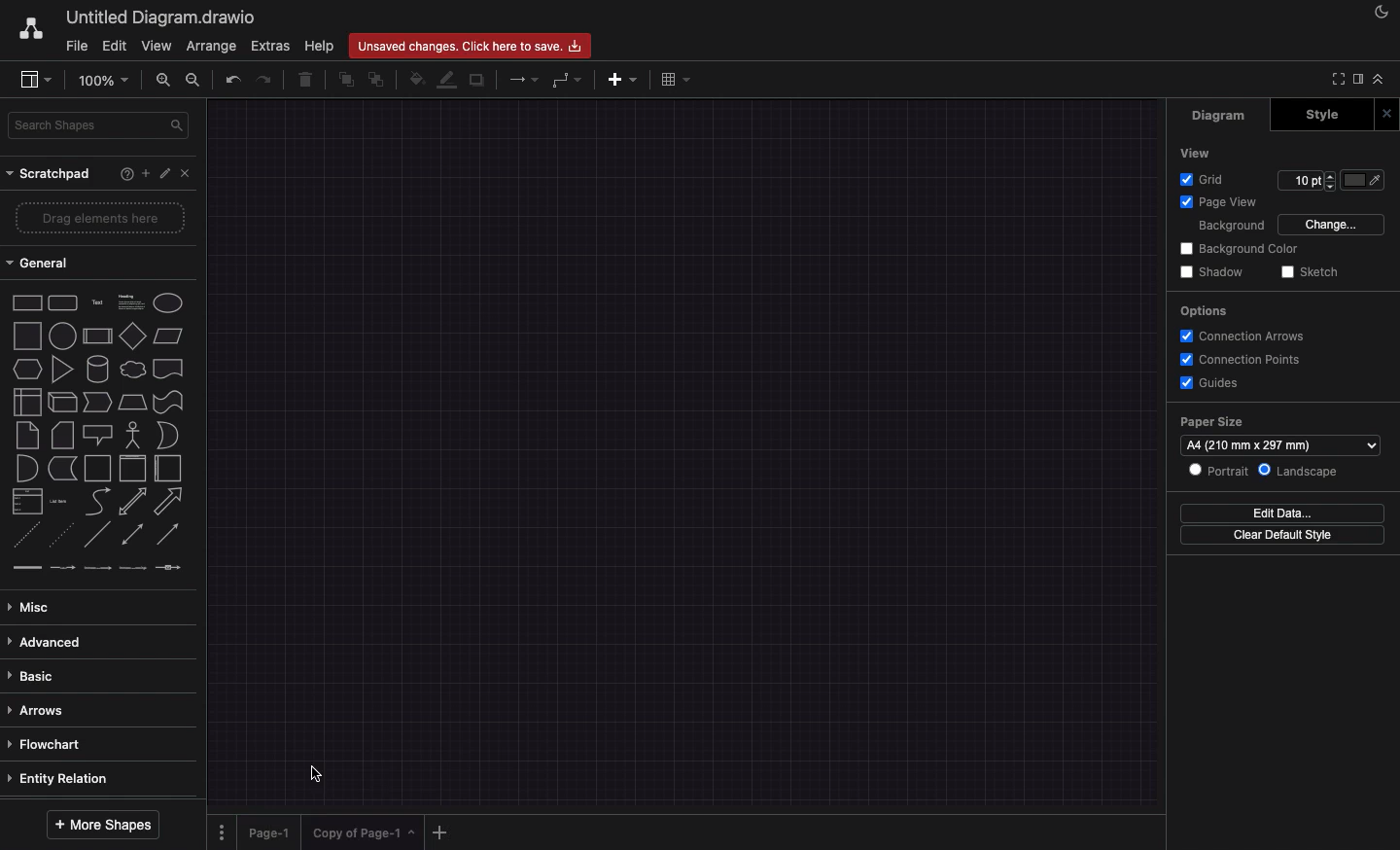  I want to click on paper size, so click(1213, 422).